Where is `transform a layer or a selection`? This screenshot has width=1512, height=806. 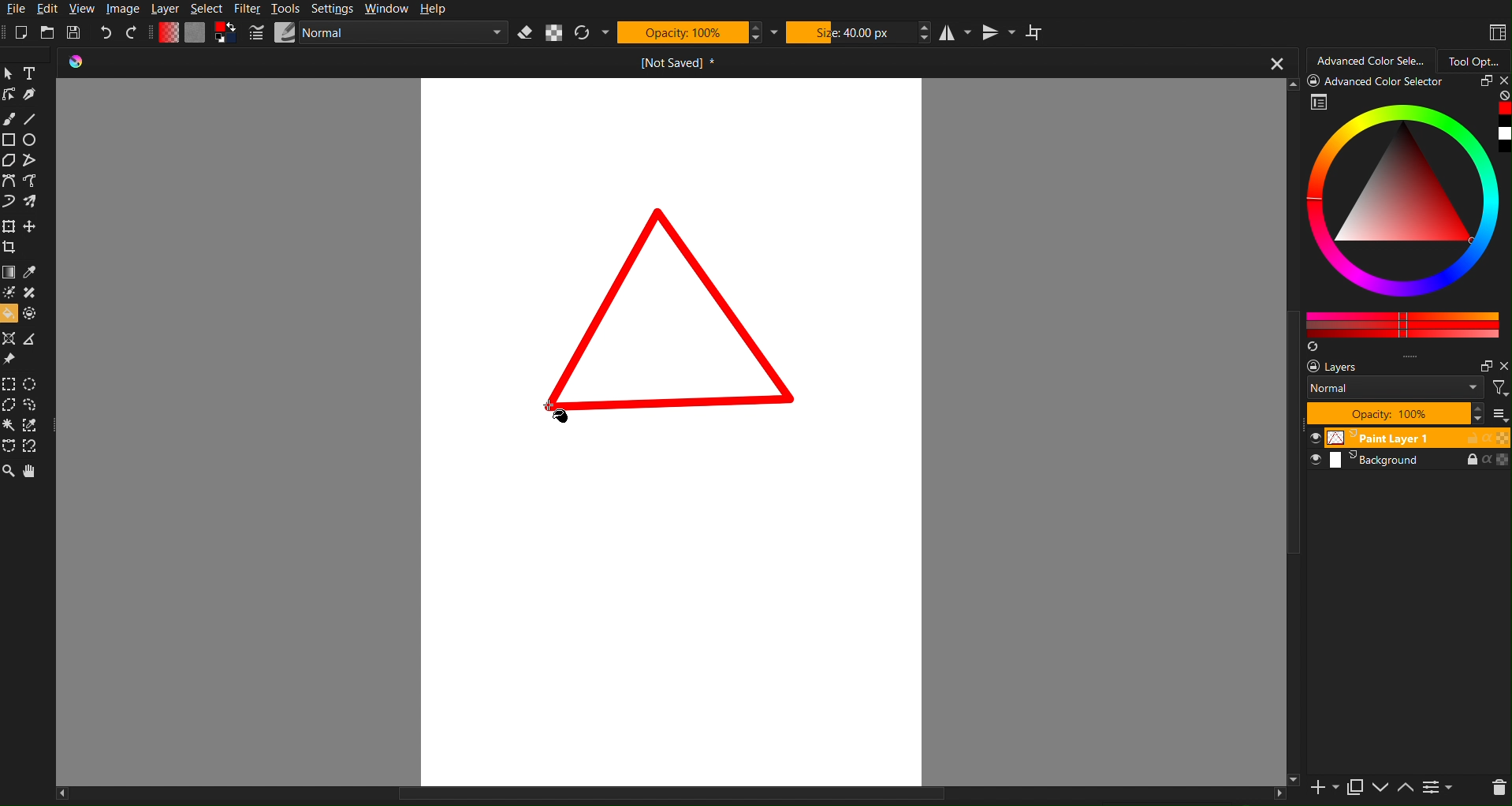 transform a layer or a selection is located at coordinates (9, 226).